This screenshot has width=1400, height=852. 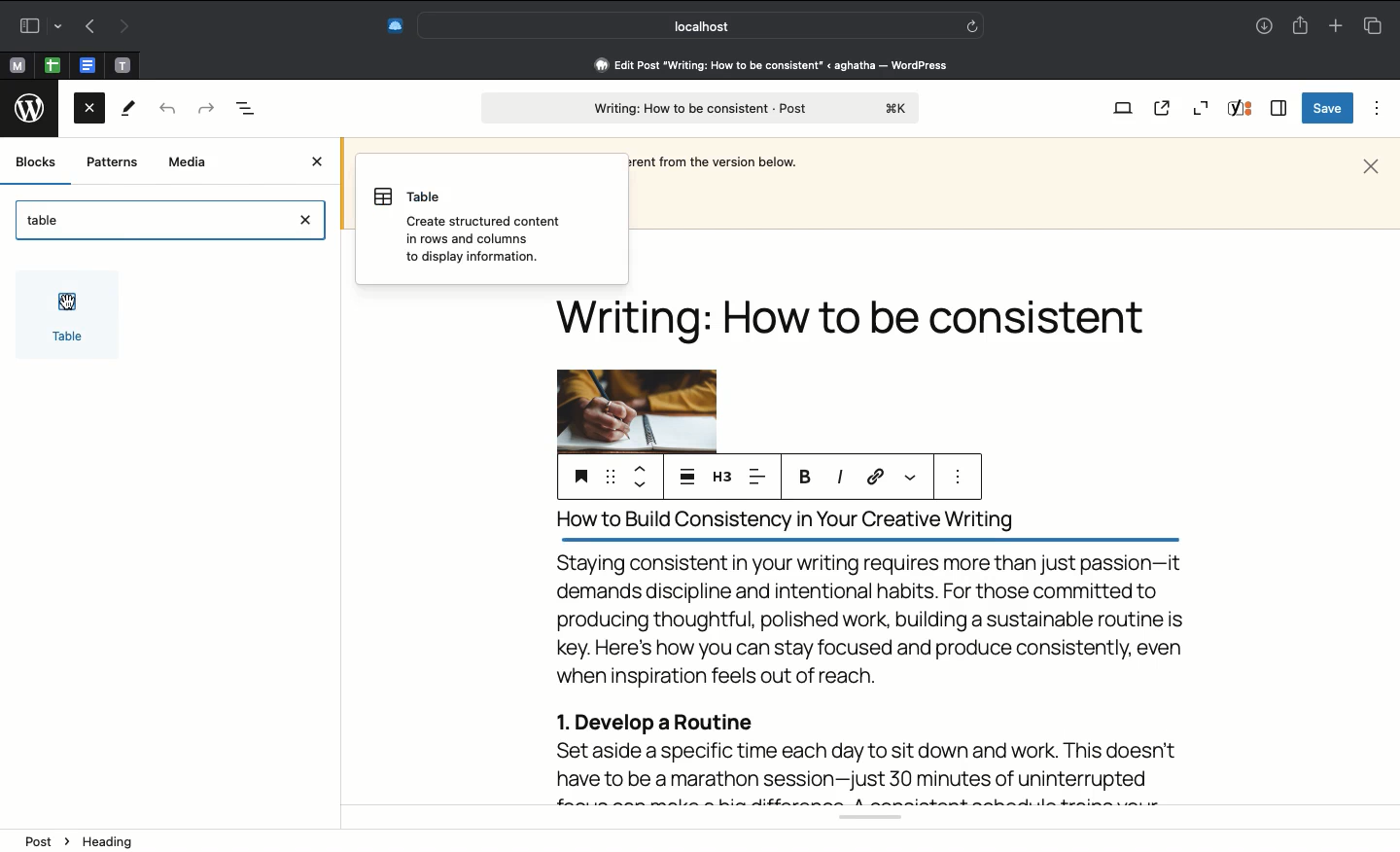 I want to click on Table, so click(x=46, y=217).